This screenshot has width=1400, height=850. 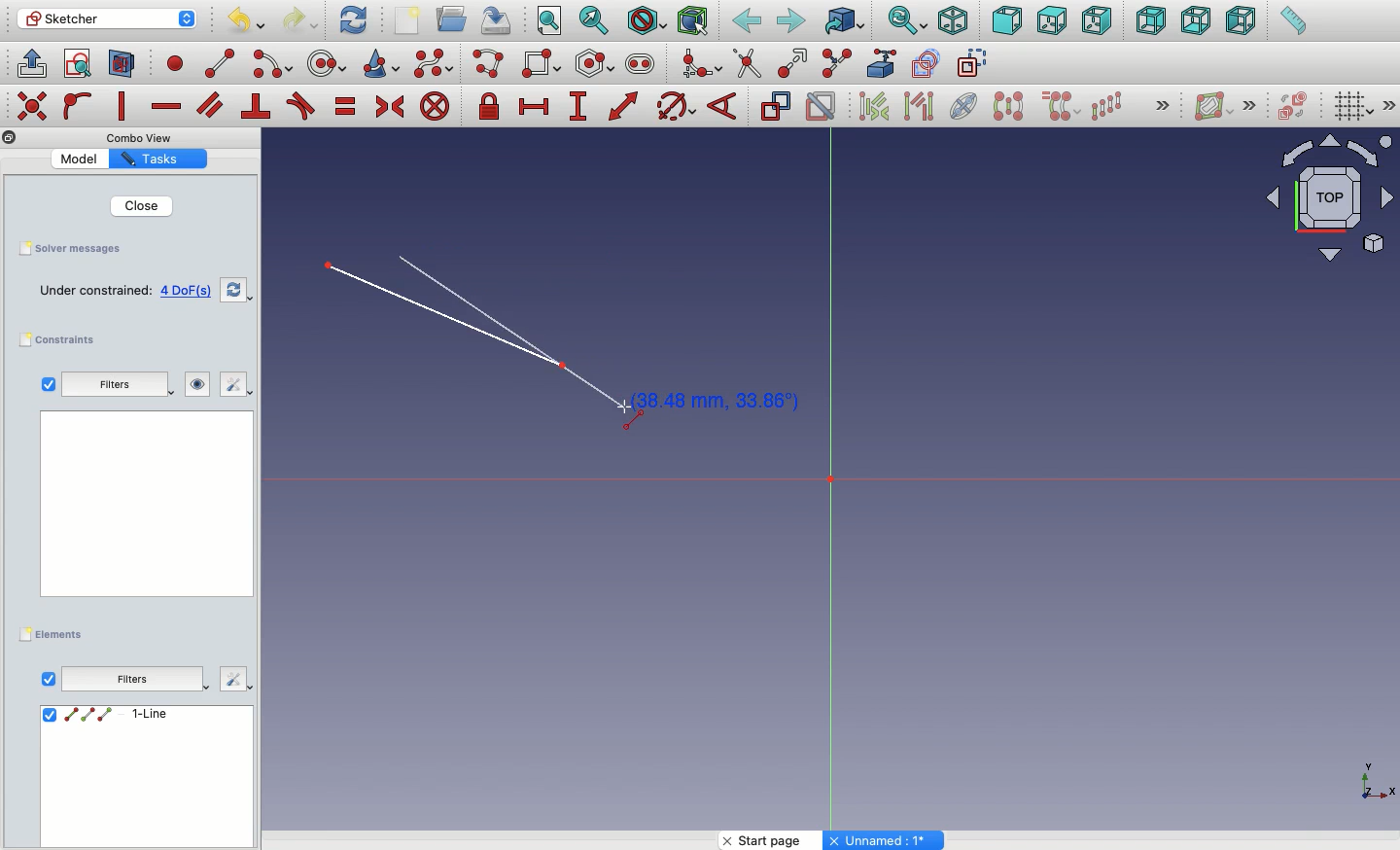 I want to click on Top, so click(x=1050, y=22).